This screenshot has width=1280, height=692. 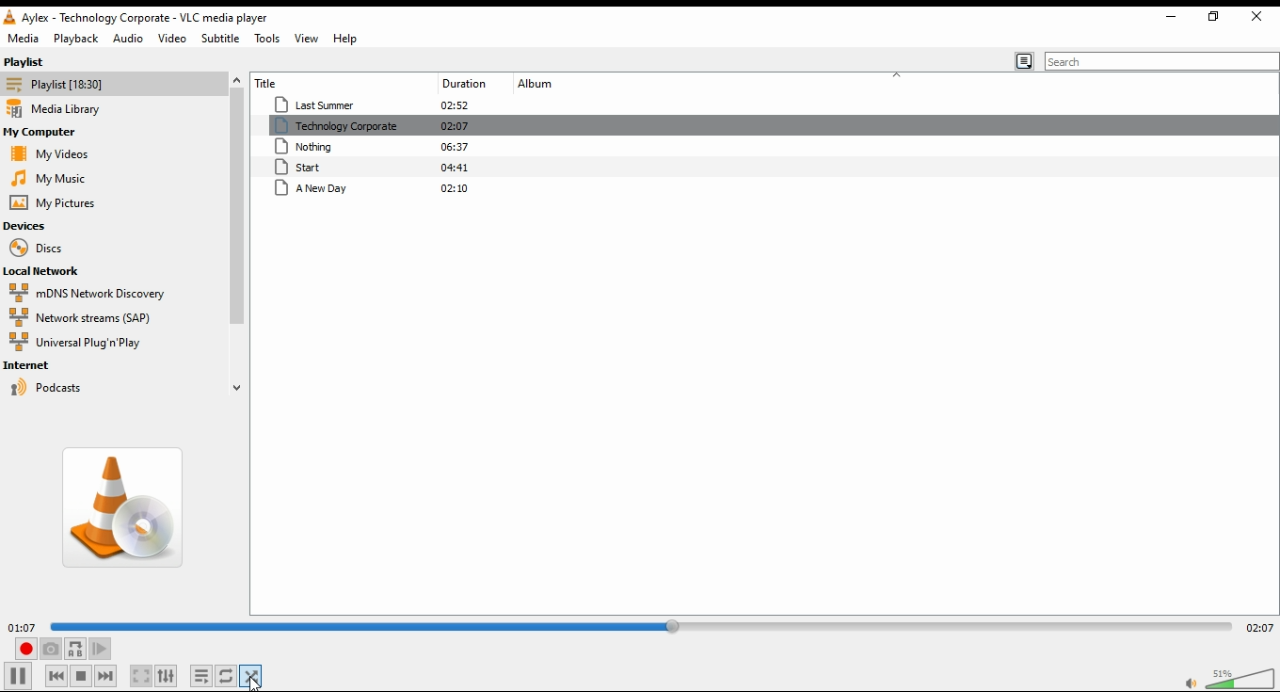 What do you see at coordinates (48, 154) in the screenshot?
I see `my videos` at bounding box center [48, 154].